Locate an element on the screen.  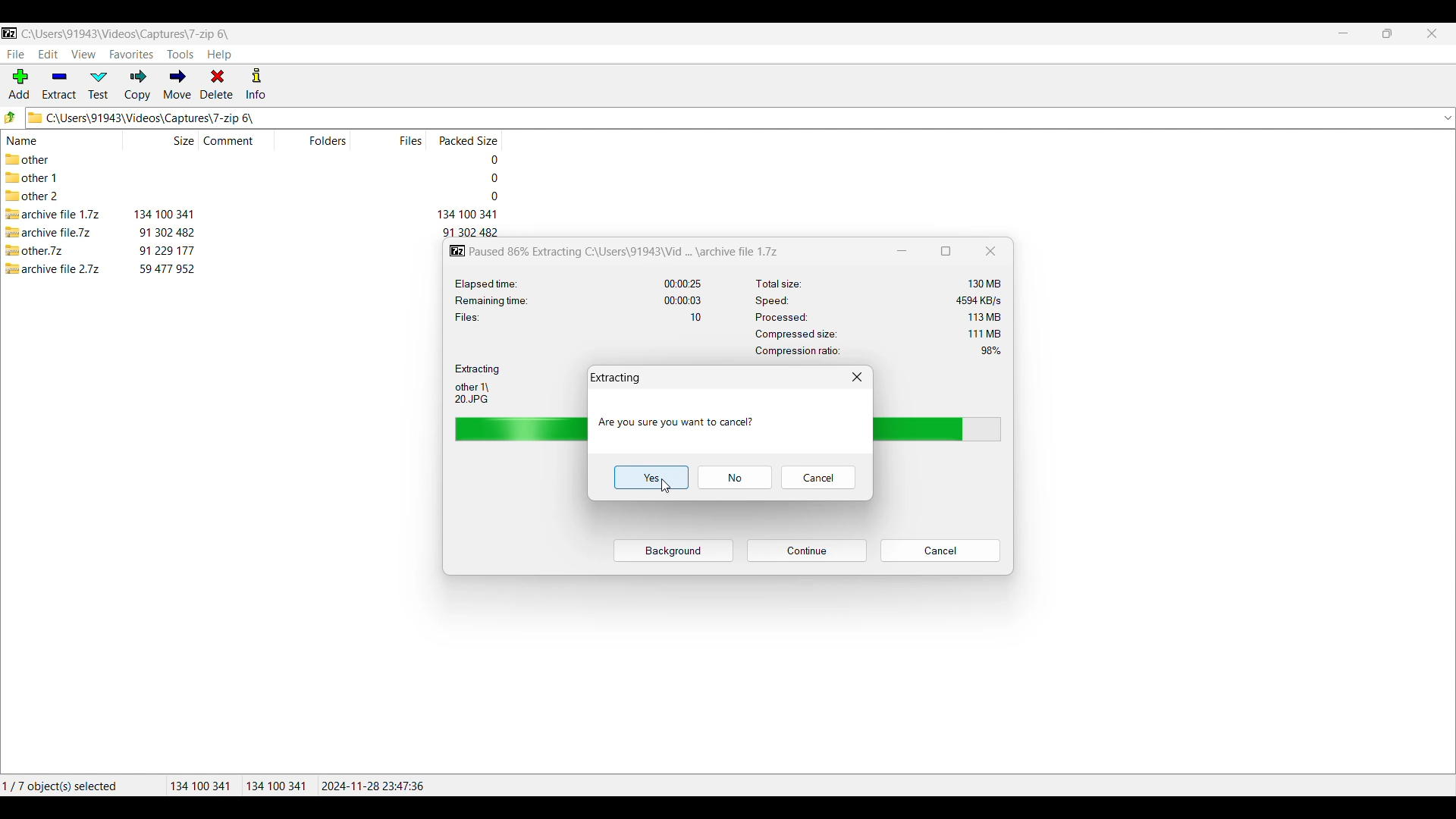
Processed: 113 MB is located at coordinates (877, 316).